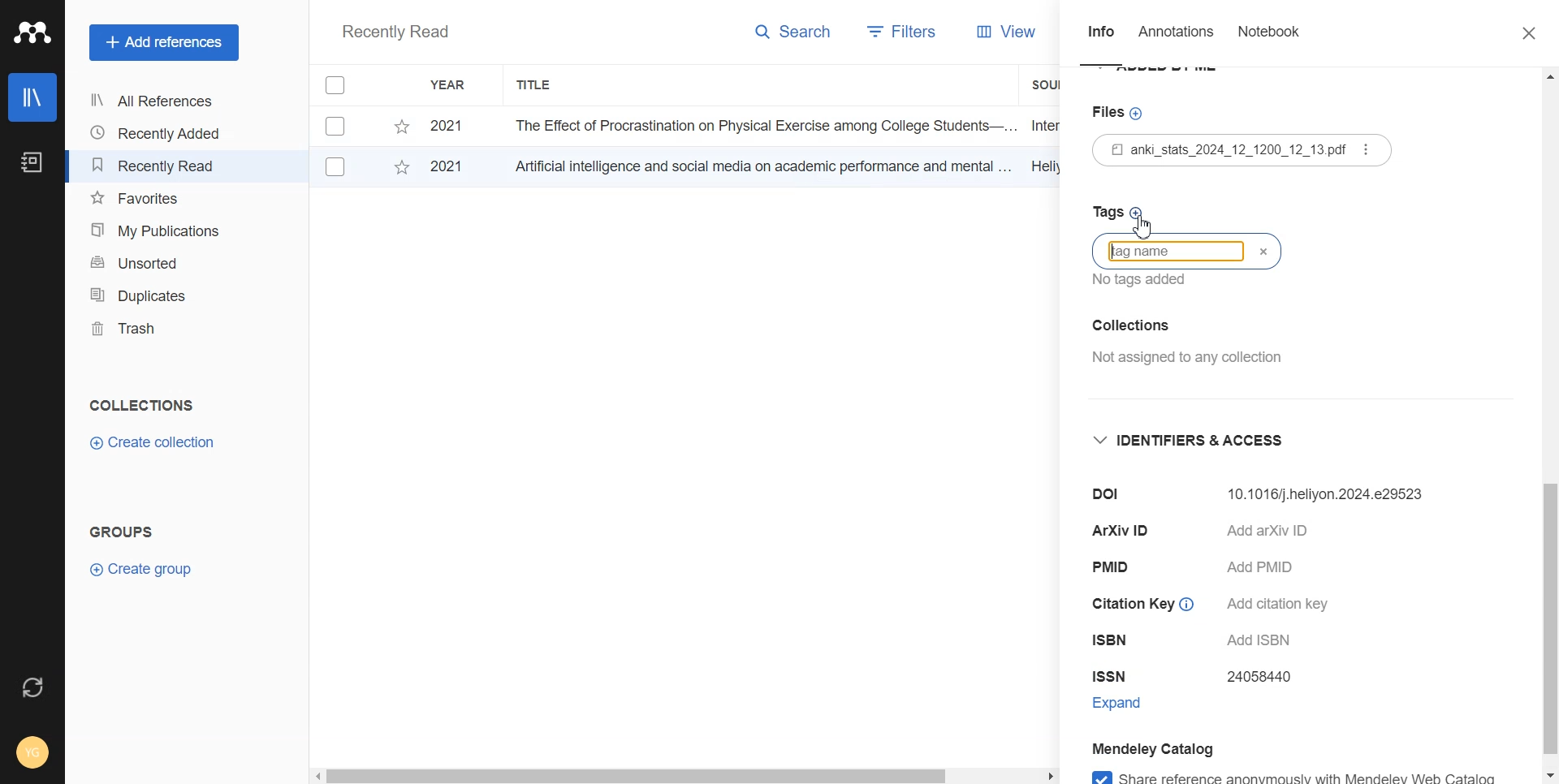 This screenshot has height=784, width=1559. What do you see at coordinates (992, 32) in the screenshot?
I see `View` at bounding box center [992, 32].